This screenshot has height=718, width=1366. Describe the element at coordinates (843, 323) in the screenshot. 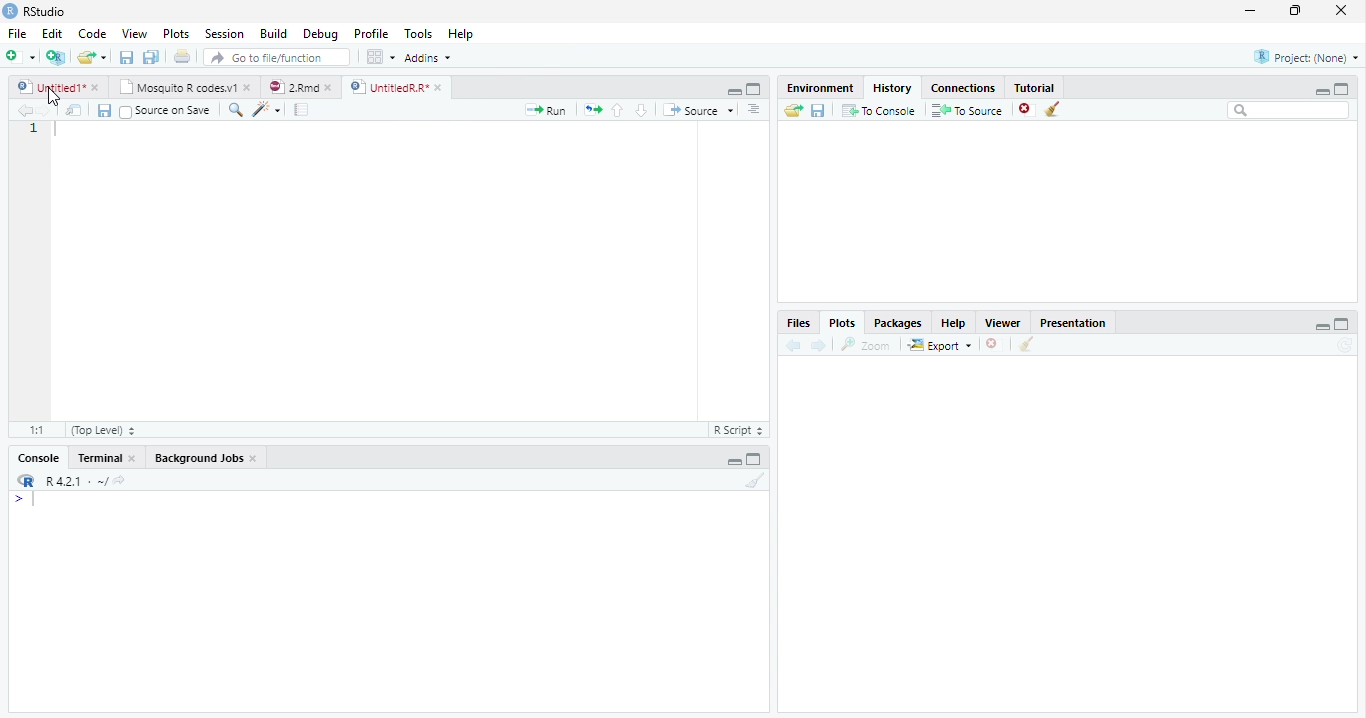

I see `Plots` at that location.